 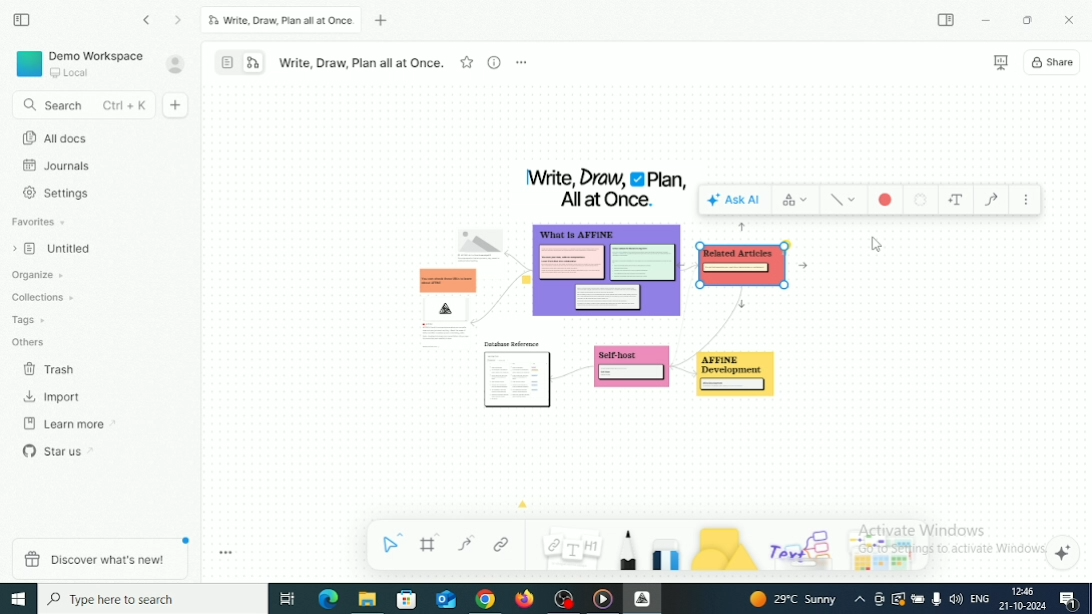 I want to click on Affine AI, so click(x=1064, y=553).